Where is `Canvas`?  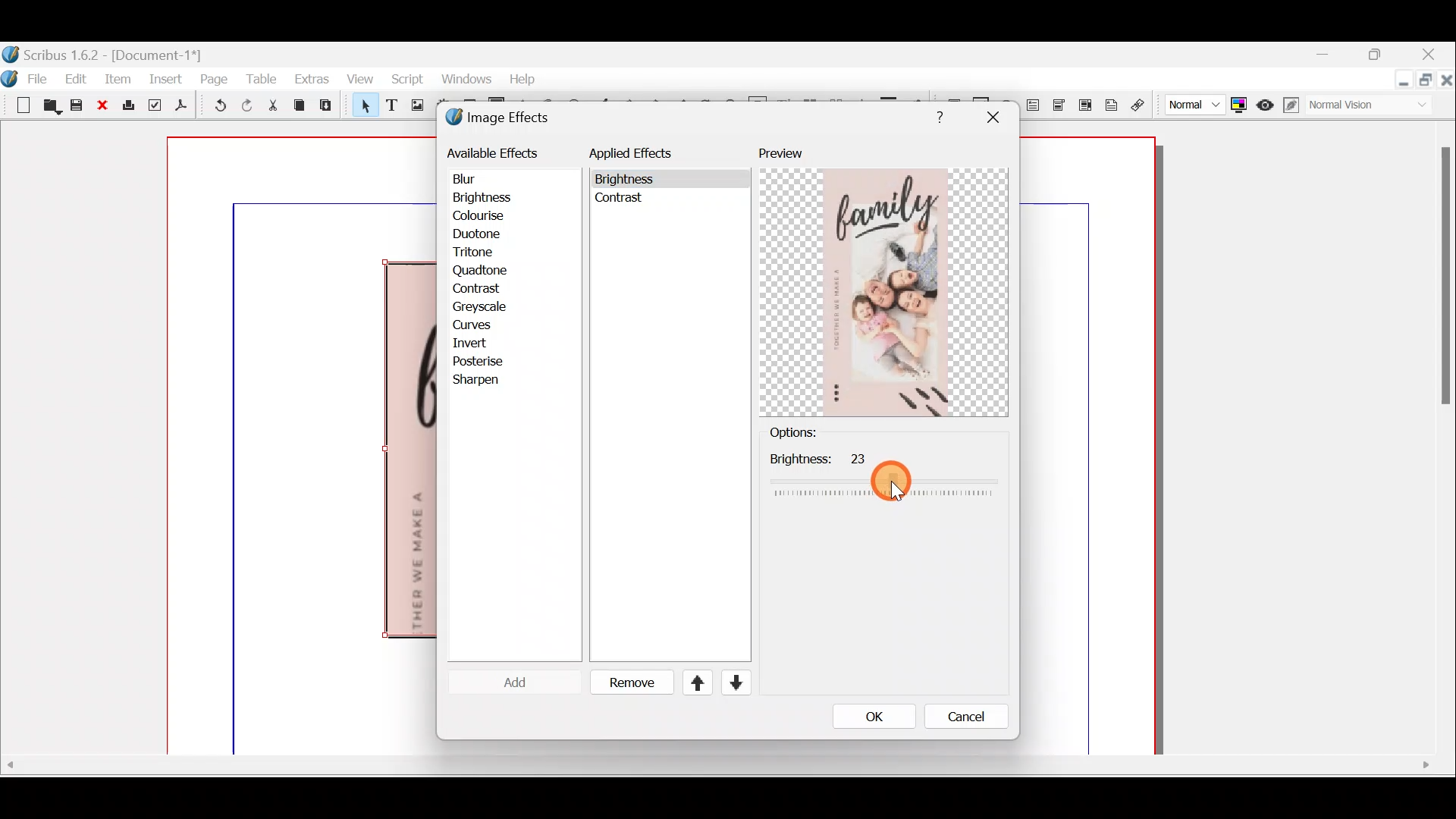
Canvas is located at coordinates (303, 447).